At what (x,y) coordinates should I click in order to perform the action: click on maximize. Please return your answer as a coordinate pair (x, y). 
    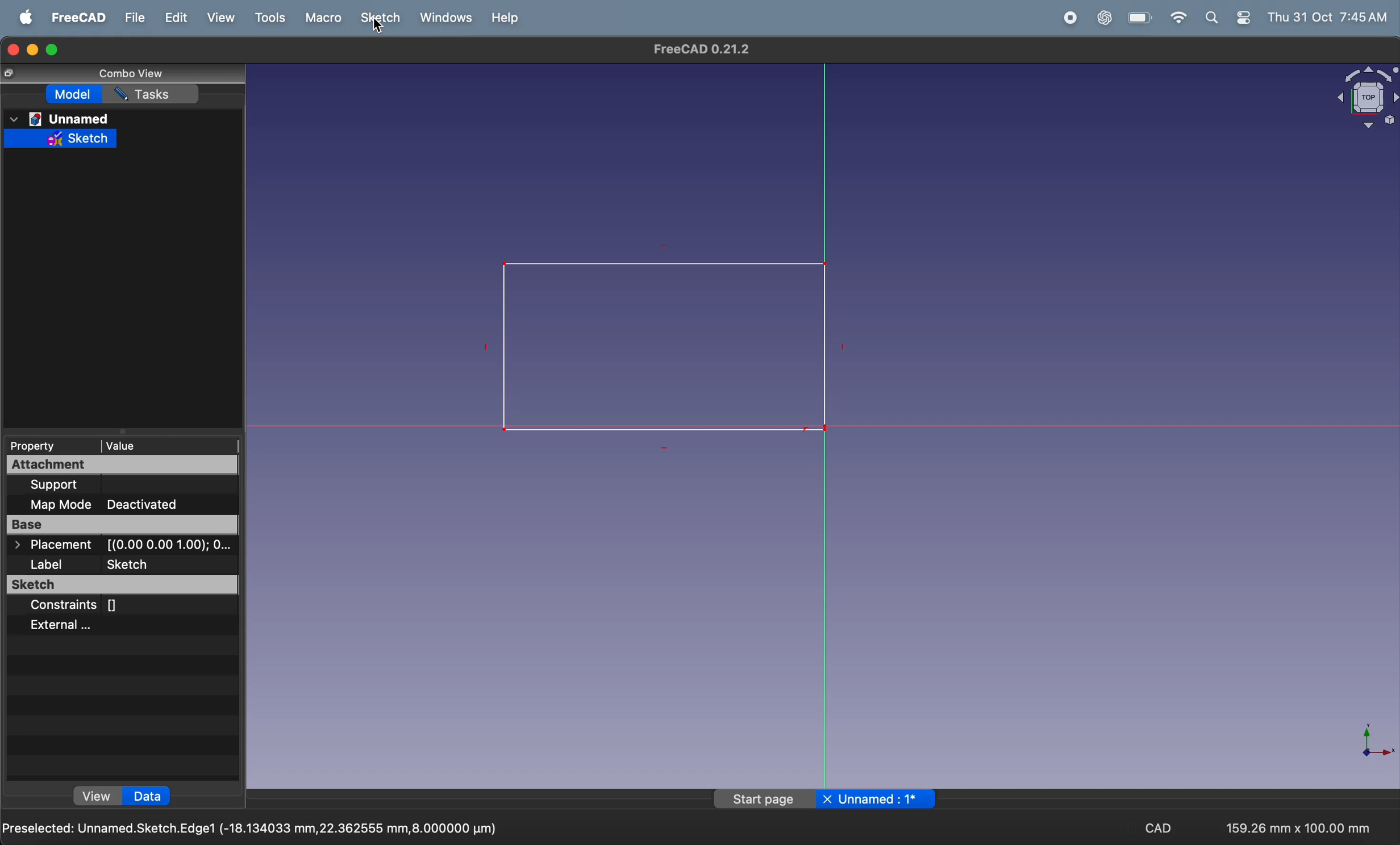
    Looking at the image, I should click on (55, 52).